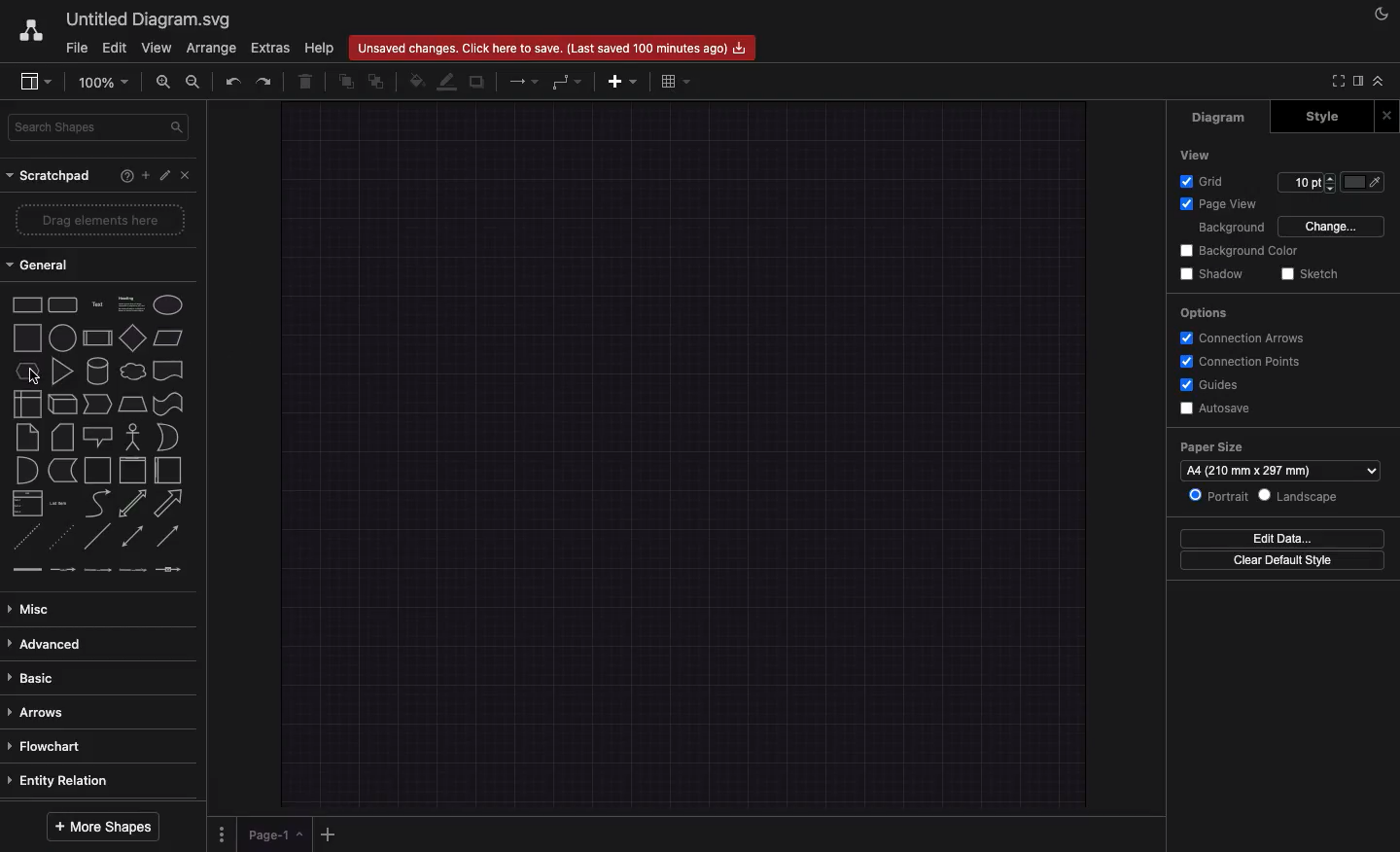 This screenshot has height=852, width=1400. What do you see at coordinates (1281, 471) in the screenshot?
I see `a4 (210mm*297mm)` at bounding box center [1281, 471].